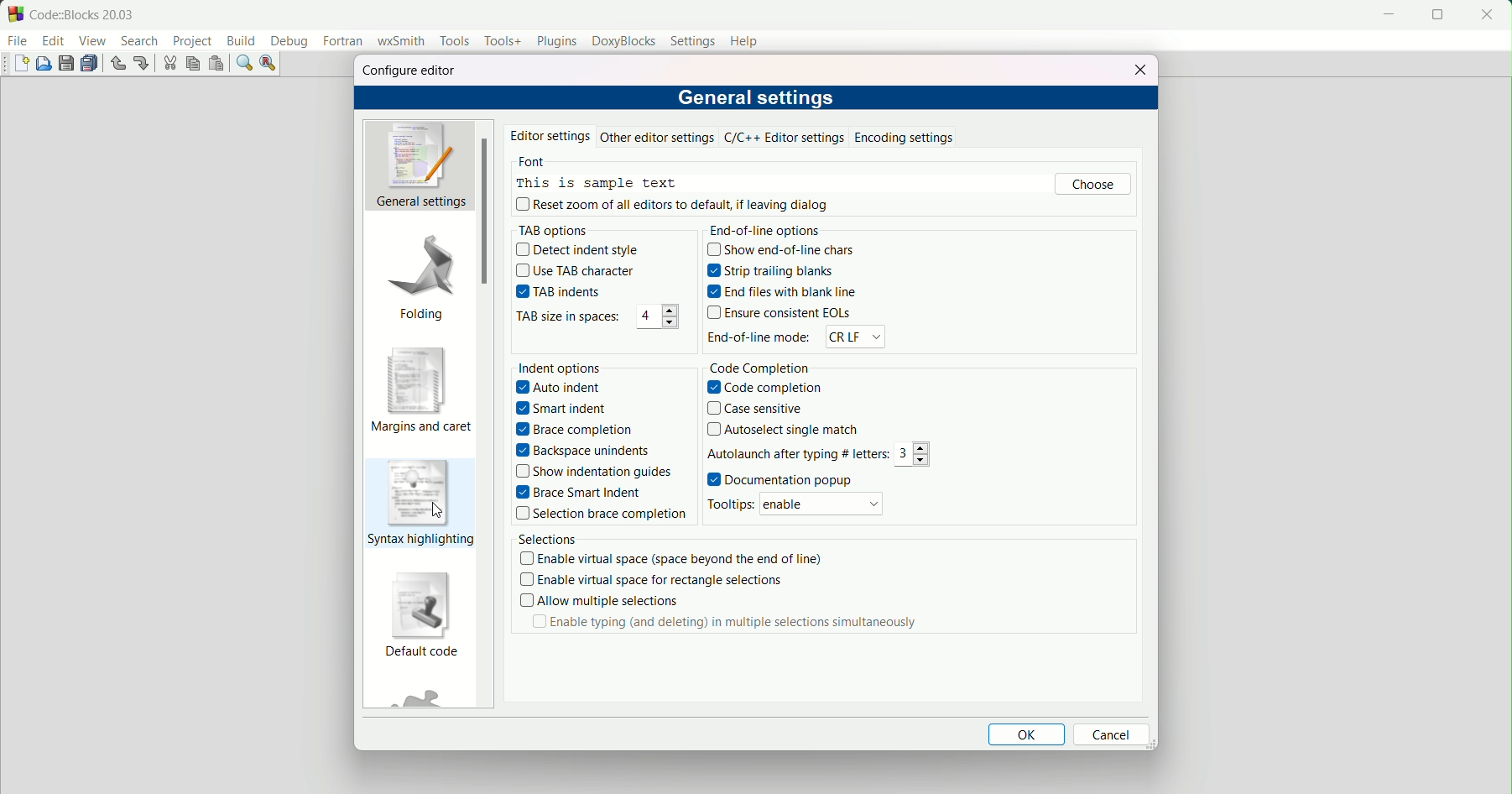 Image resolution: width=1512 pixels, height=794 pixels. What do you see at coordinates (821, 503) in the screenshot?
I see `enable` at bounding box center [821, 503].